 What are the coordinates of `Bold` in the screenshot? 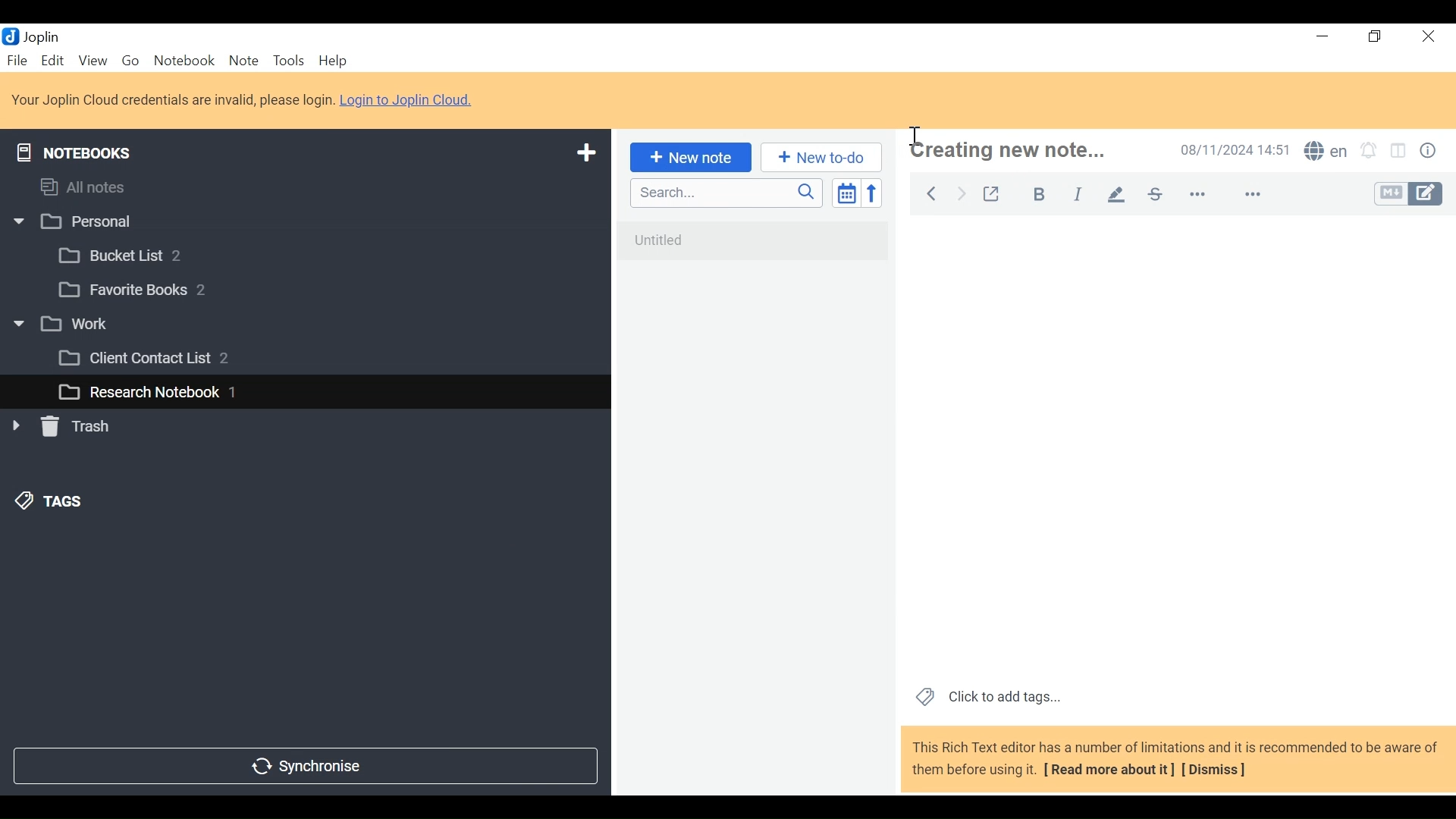 It's located at (1032, 192).